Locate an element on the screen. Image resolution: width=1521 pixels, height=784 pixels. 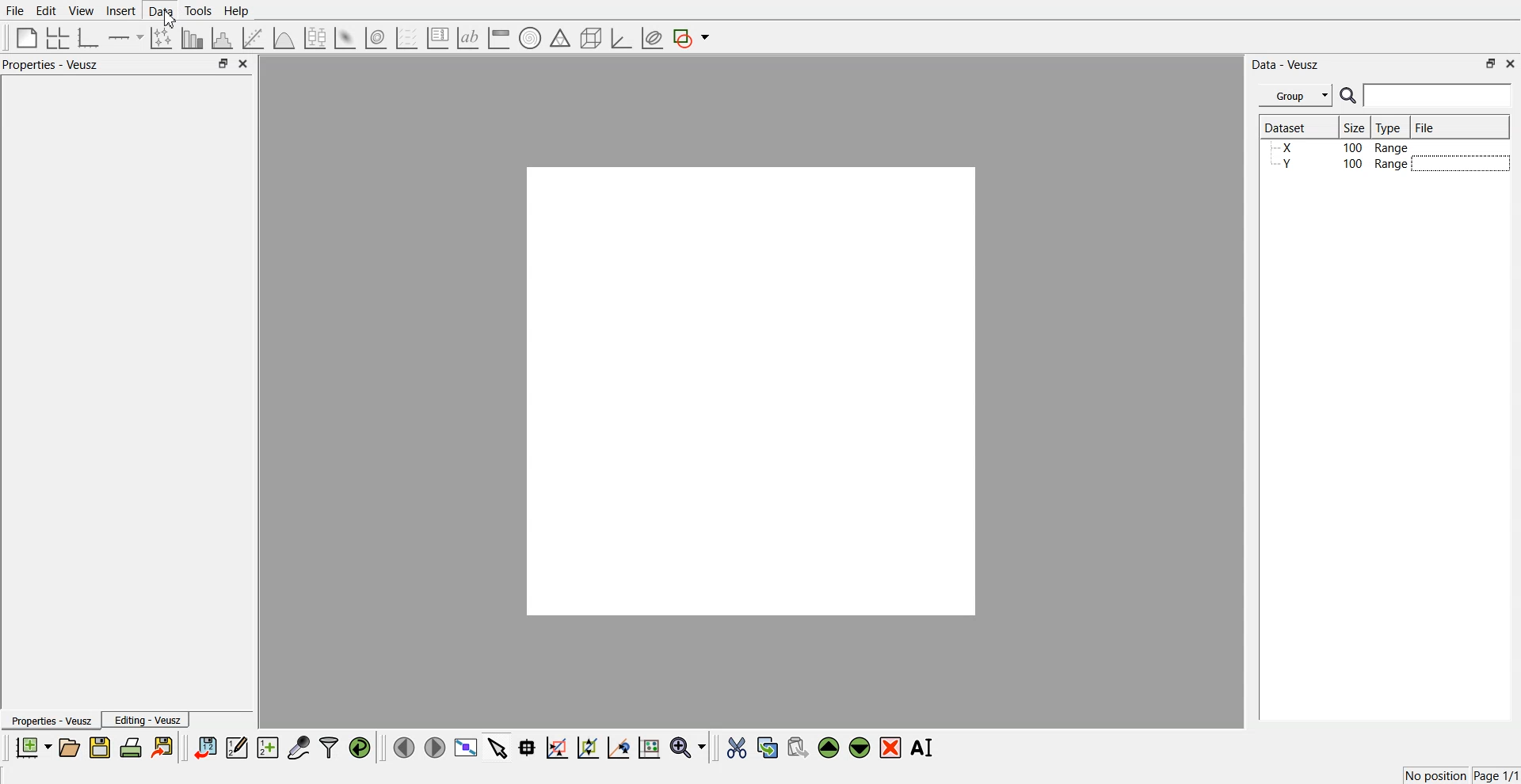
Y 100 Range is located at coordinates (1341, 164).